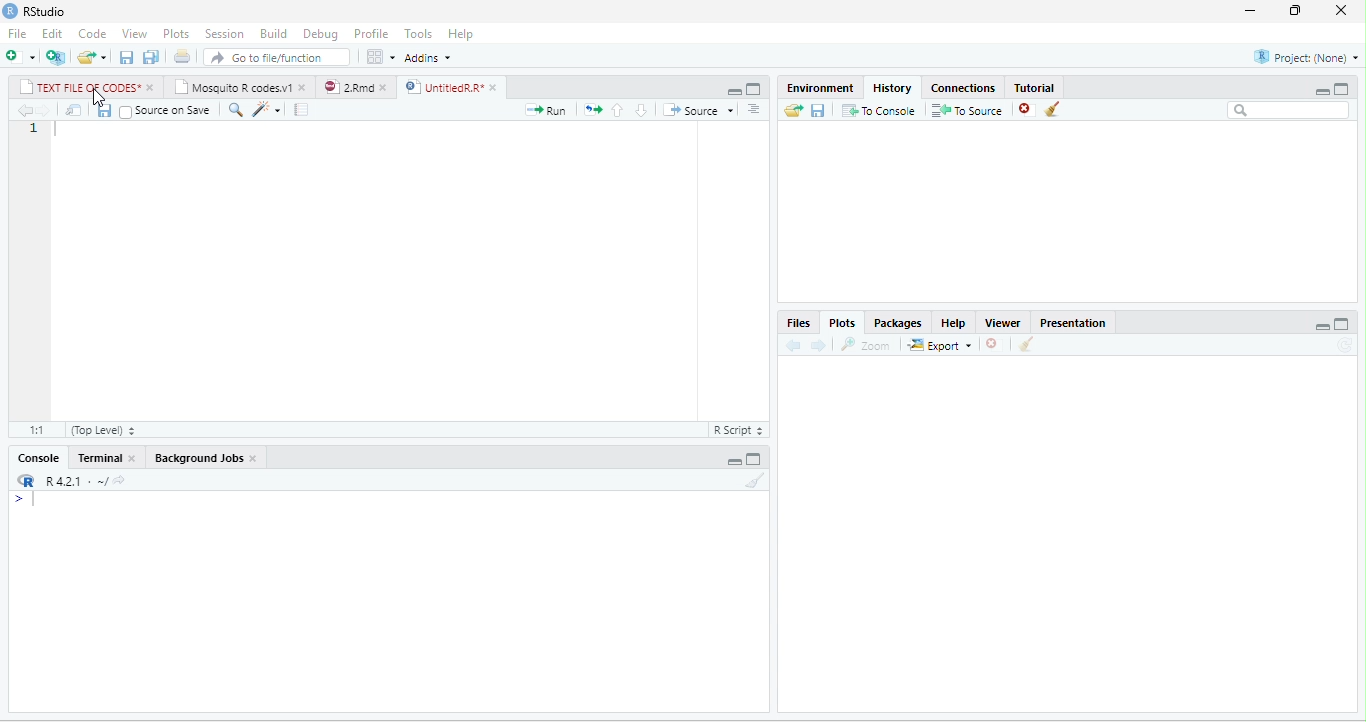  Describe the element at coordinates (232, 86) in the screenshot. I see `Mosquito R codes.v1` at that location.